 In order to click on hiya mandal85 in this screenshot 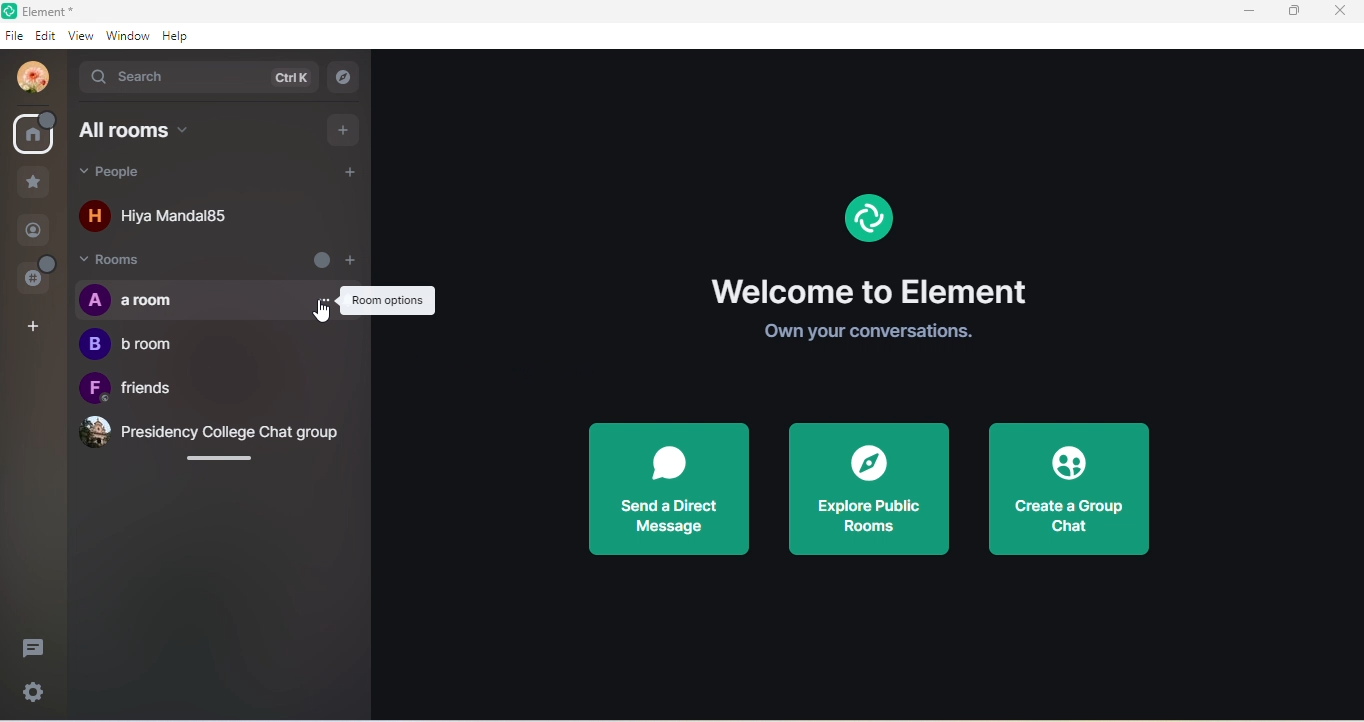, I will do `click(161, 217)`.